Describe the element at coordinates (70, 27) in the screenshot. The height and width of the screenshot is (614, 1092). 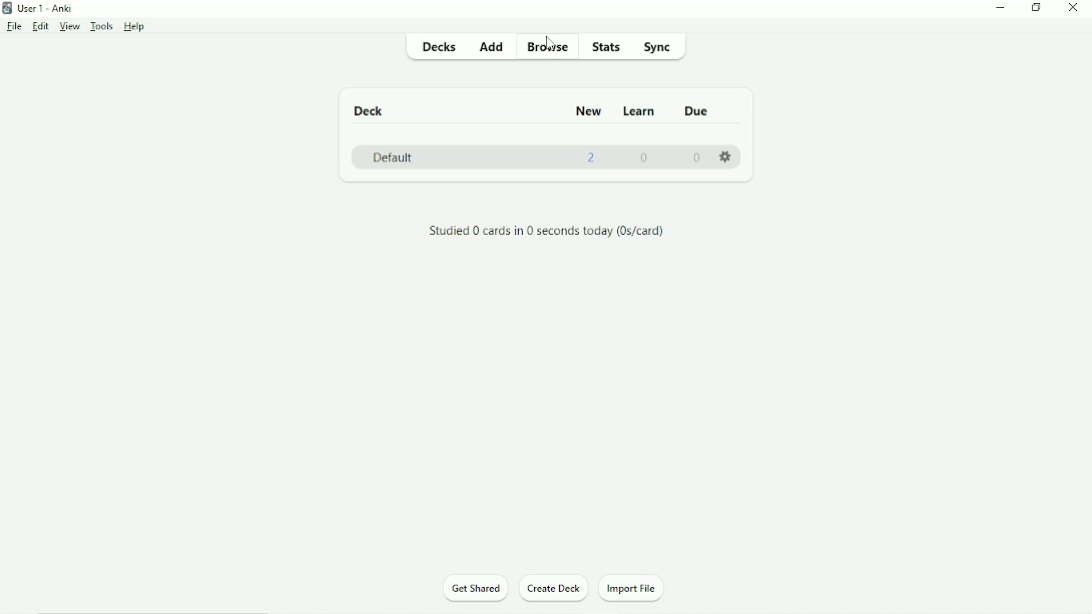
I see `View` at that location.